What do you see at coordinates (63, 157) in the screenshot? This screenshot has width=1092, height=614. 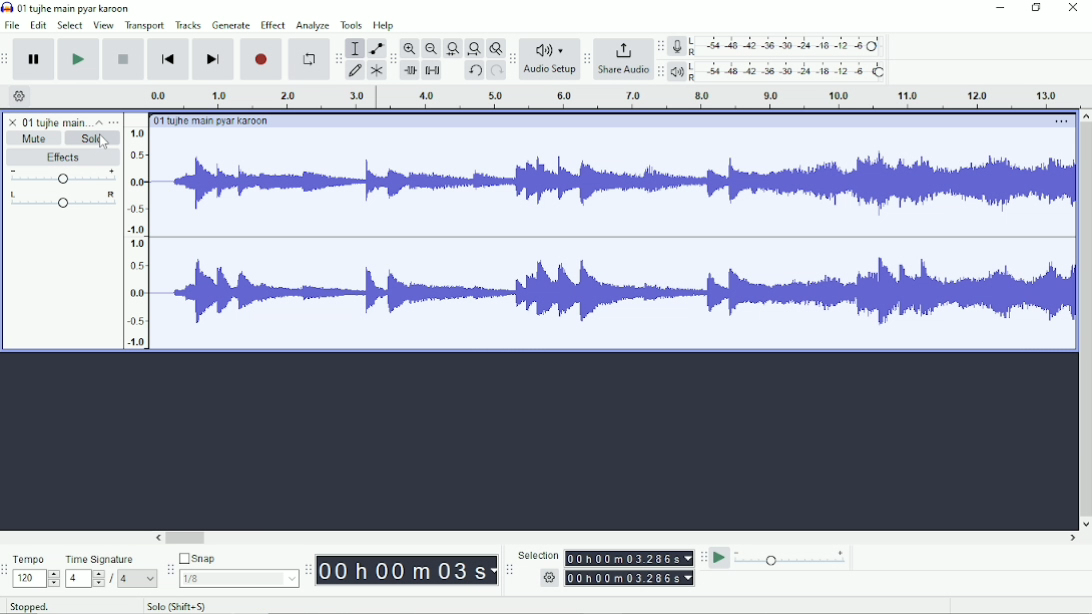 I see `Effects` at bounding box center [63, 157].